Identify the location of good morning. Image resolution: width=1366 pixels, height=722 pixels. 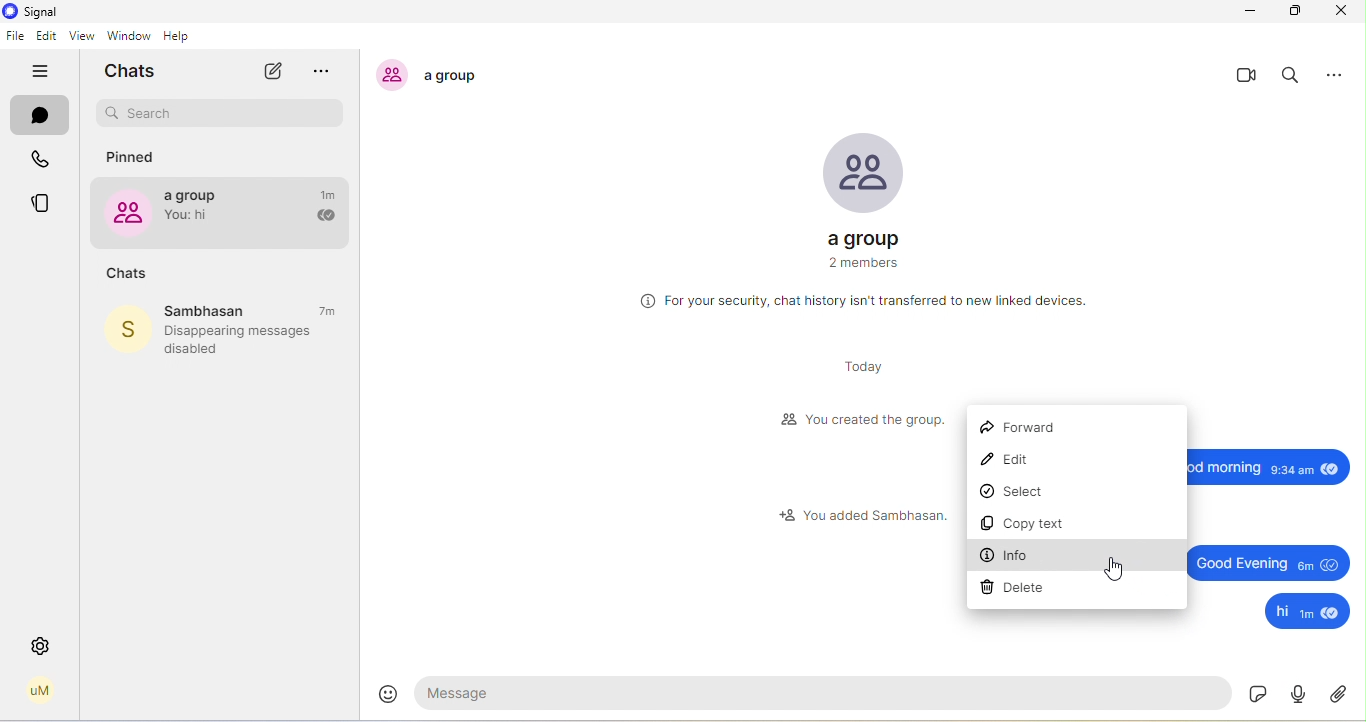
(1256, 464).